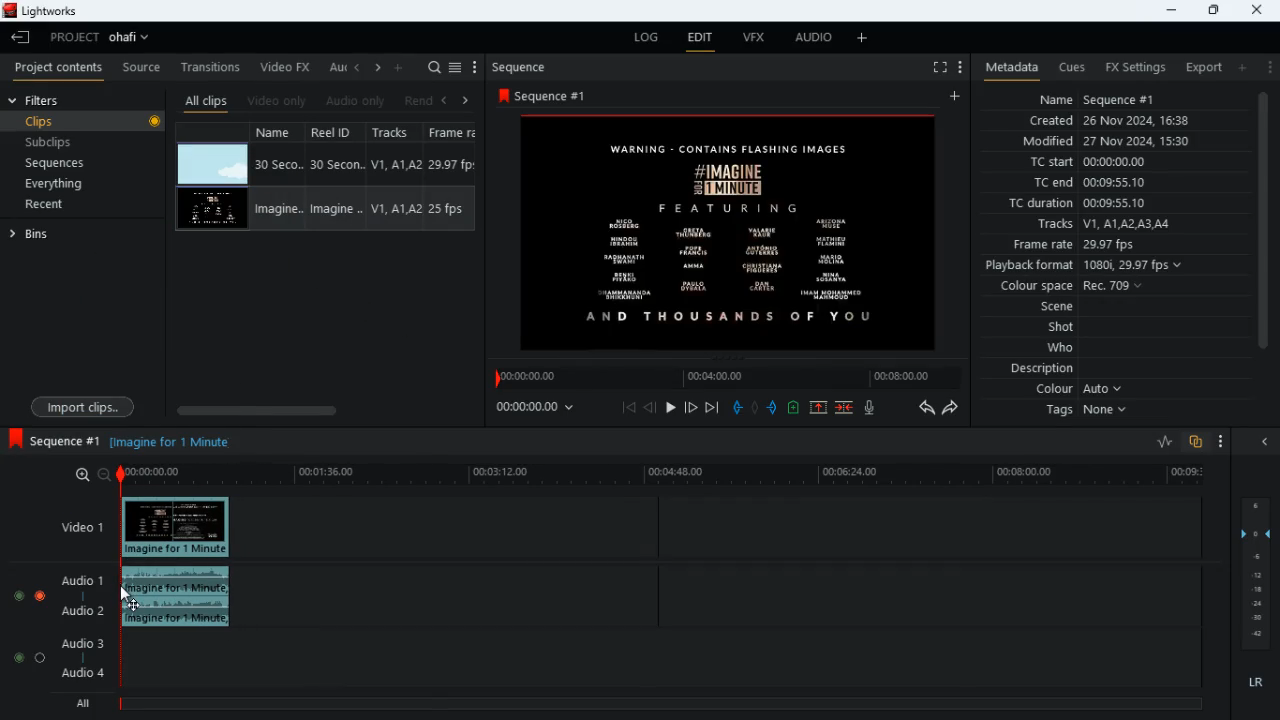 The image size is (1280, 720). What do you see at coordinates (1091, 411) in the screenshot?
I see `tags` at bounding box center [1091, 411].